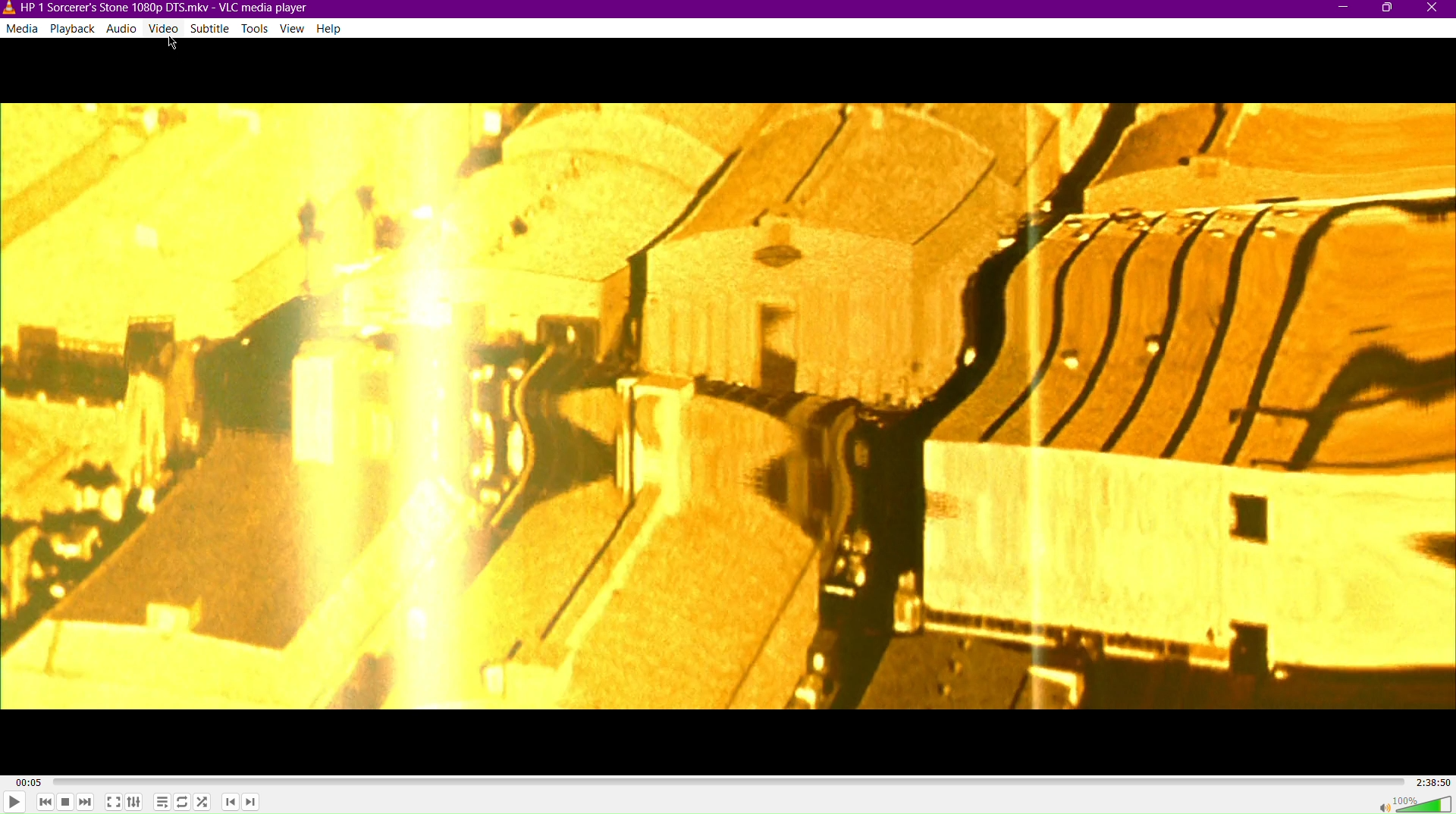 The height and width of the screenshot is (814, 1456). What do you see at coordinates (1434, 9) in the screenshot?
I see `Close` at bounding box center [1434, 9].